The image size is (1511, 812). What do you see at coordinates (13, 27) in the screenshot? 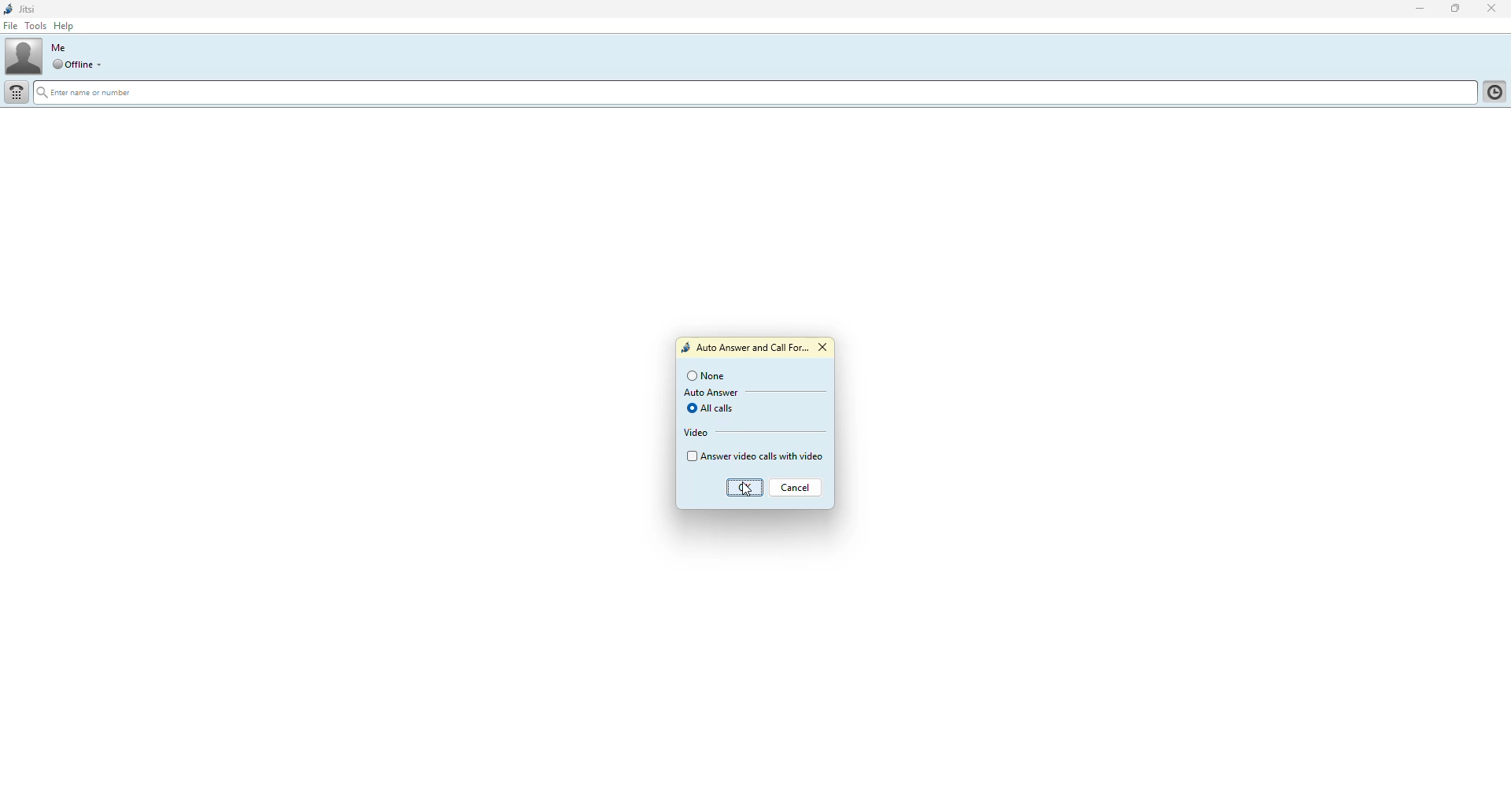
I see `file` at bounding box center [13, 27].